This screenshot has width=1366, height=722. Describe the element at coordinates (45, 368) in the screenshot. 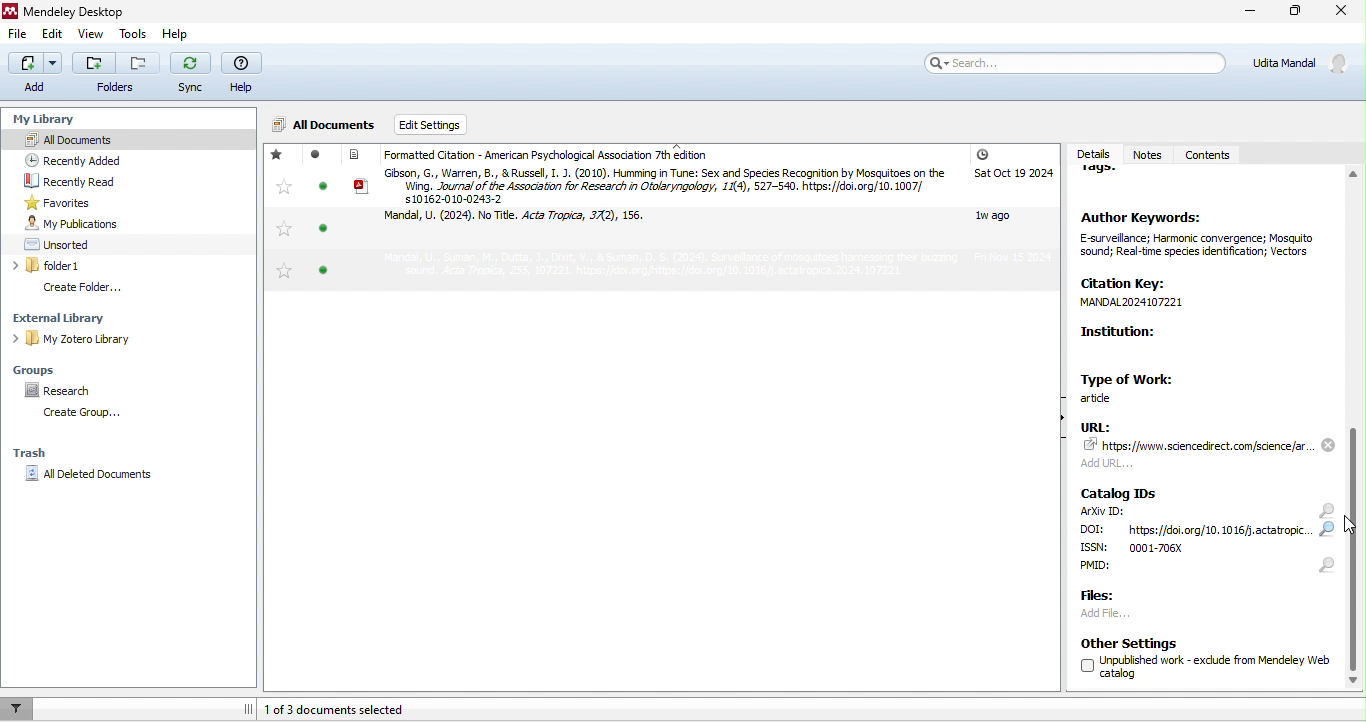

I see `groups` at that location.